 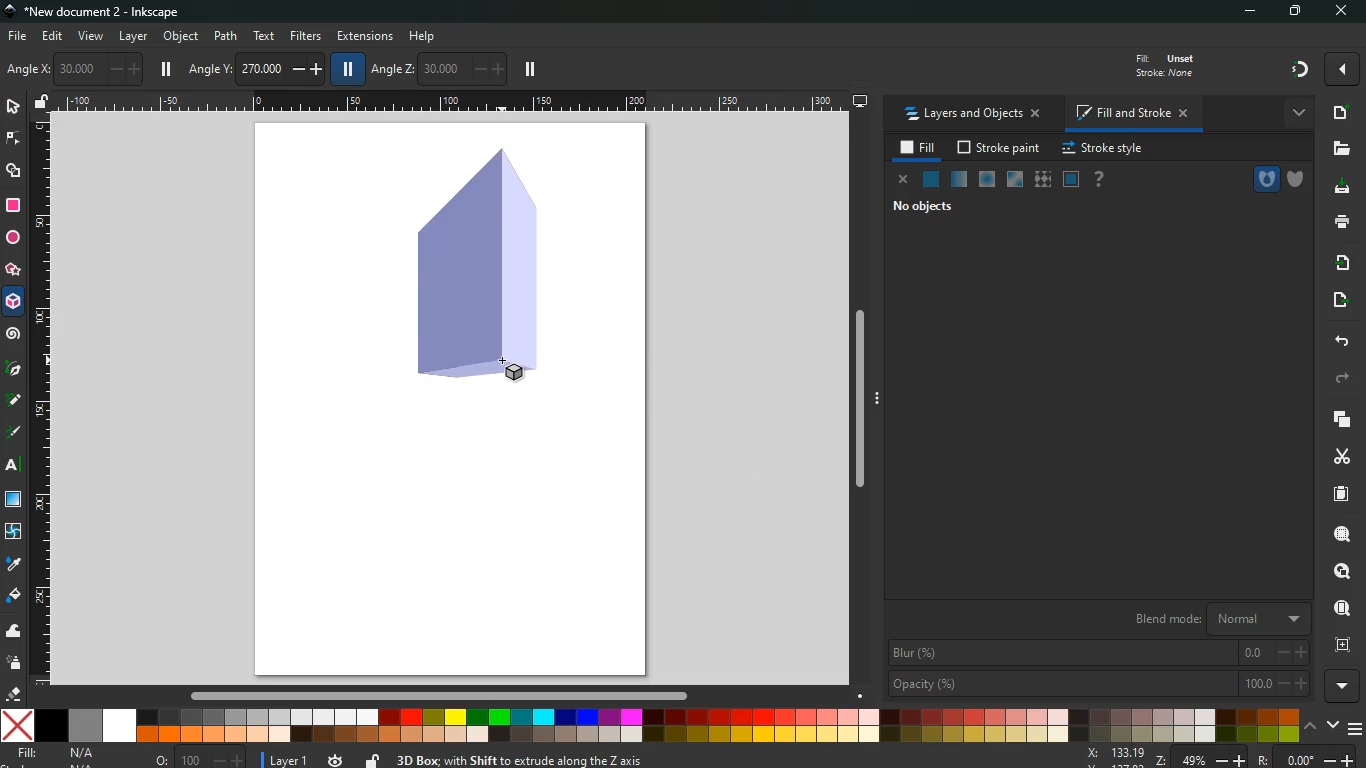 I want to click on angle z, so click(x=437, y=67).